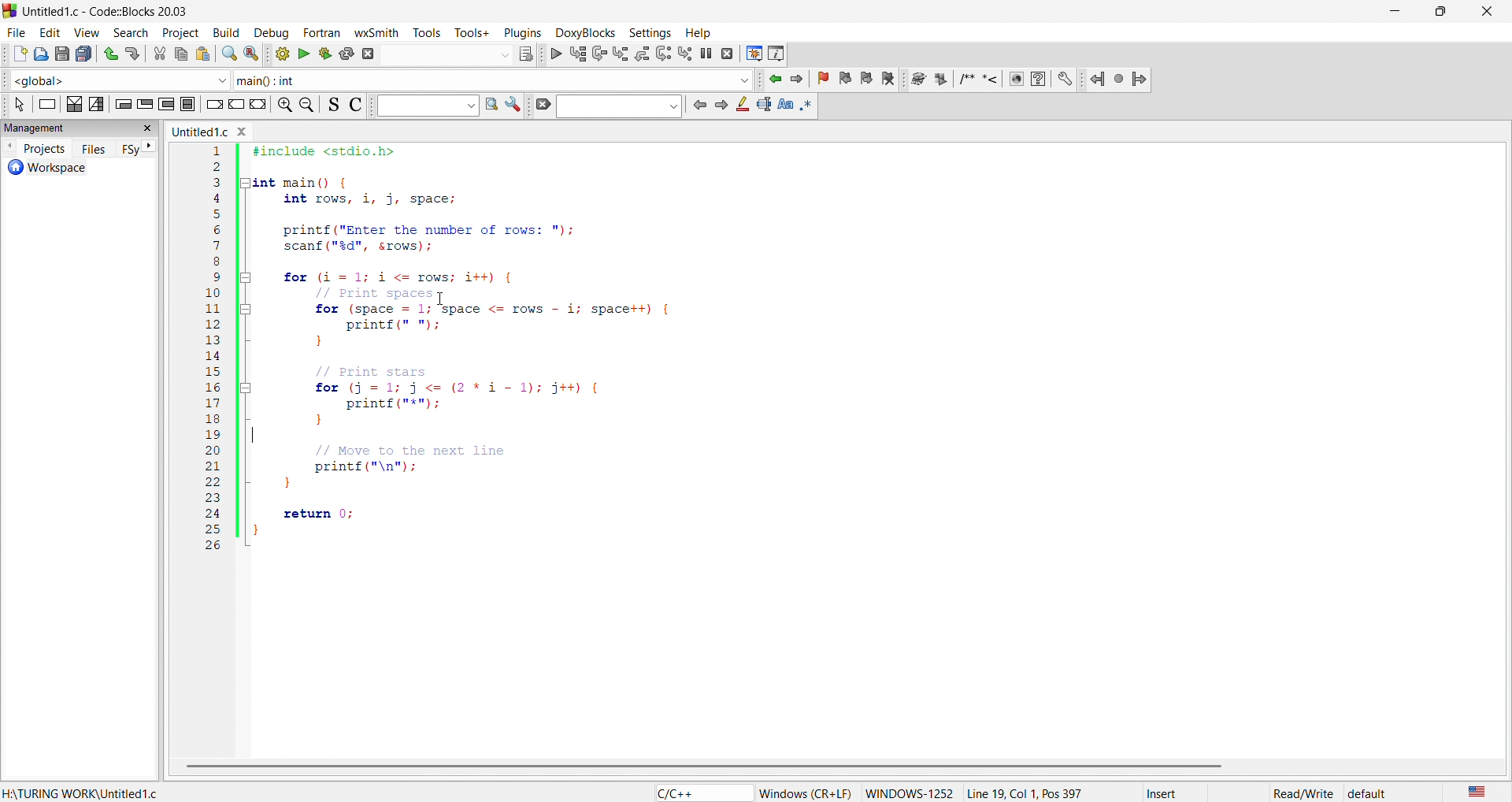 This screenshot has height=802, width=1512. Describe the element at coordinates (1473, 791) in the screenshot. I see `language` at that location.